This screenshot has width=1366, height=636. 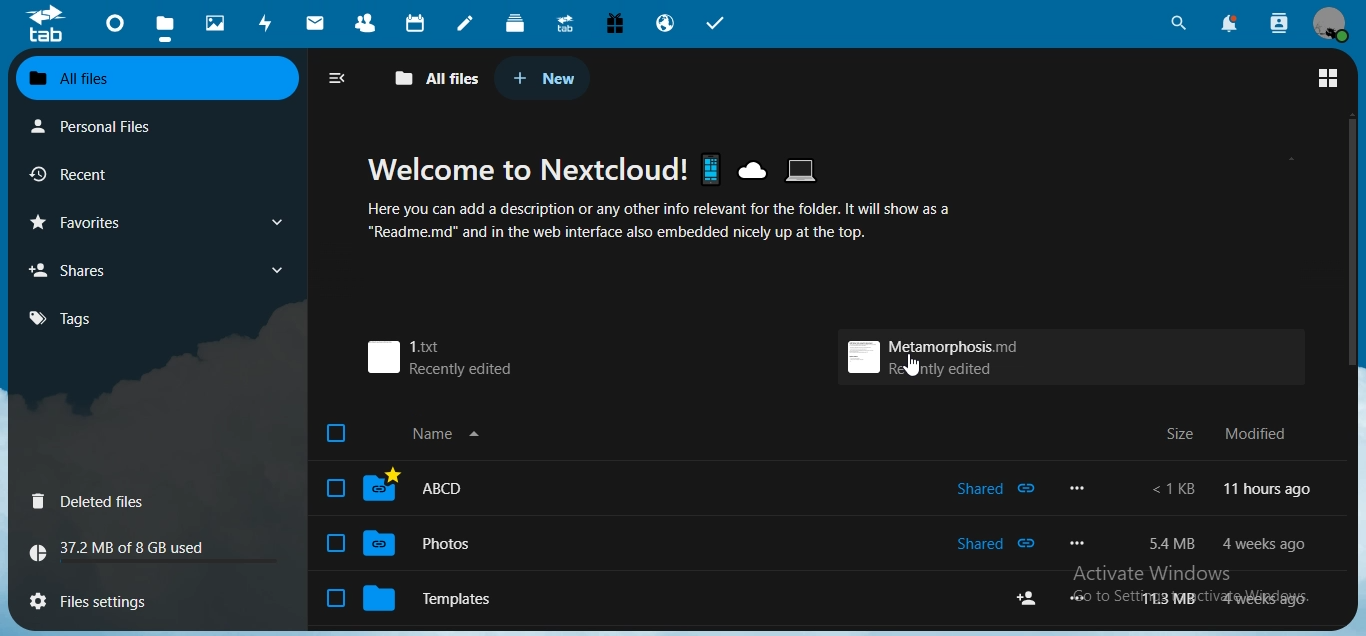 What do you see at coordinates (123, 552) in the screenshot?
I see `text` at bounding box center [123, 552].